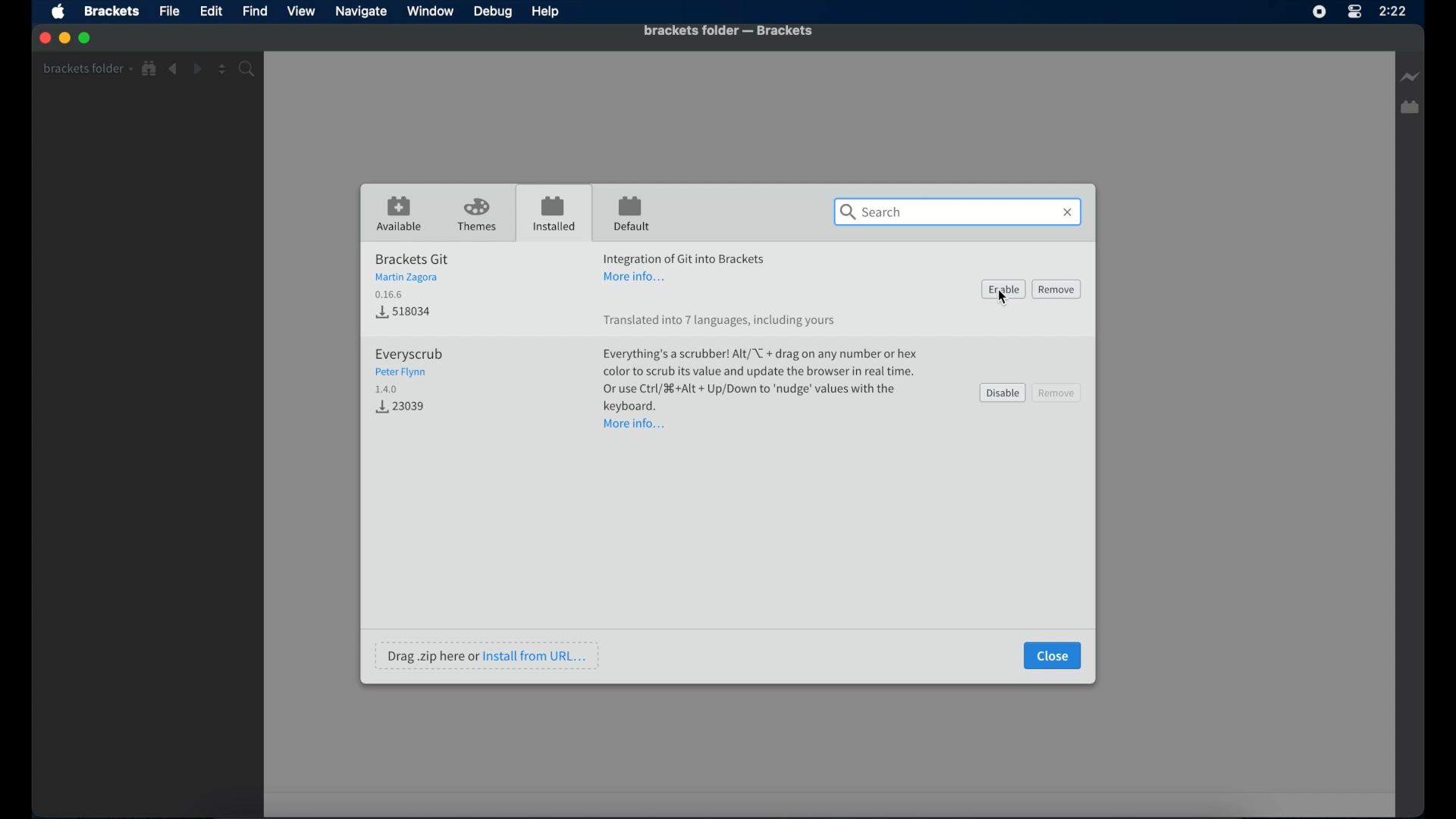 This screenshot has height=819, width=1456. What do you see at coordinates (759, 378) in the screenshot?
I see `Everything's a scrubber! Alt/X. + drag on any number or hex
color to scrubiits value and update the browser in real time.
Or use Ctrl/3+Alt + Up/Down to ‘nudge’ values with the
keyboard.` at bounding box center [759, 378].